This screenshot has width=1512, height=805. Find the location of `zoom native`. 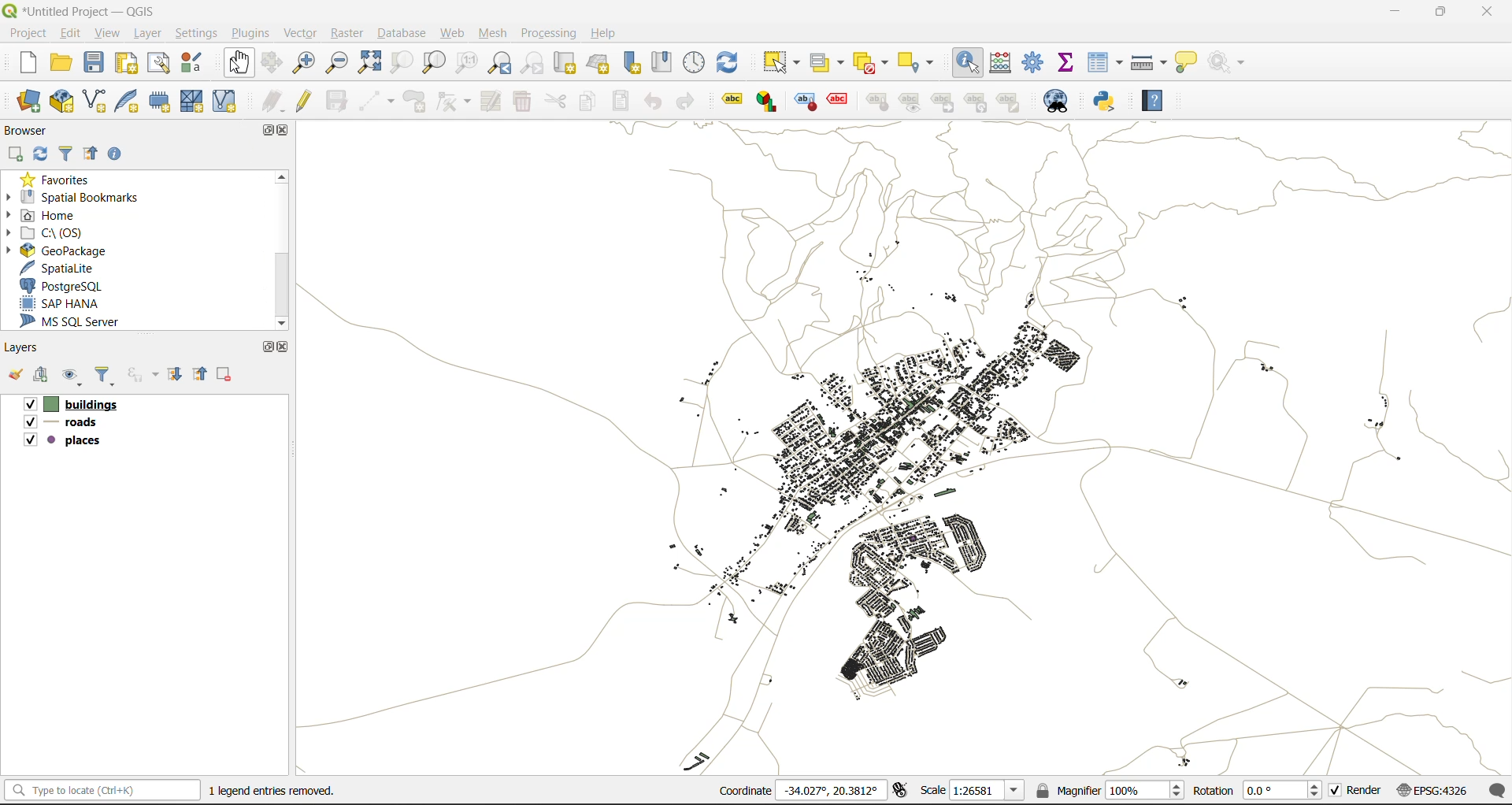

zoom native is located at coordinates (462, 65).